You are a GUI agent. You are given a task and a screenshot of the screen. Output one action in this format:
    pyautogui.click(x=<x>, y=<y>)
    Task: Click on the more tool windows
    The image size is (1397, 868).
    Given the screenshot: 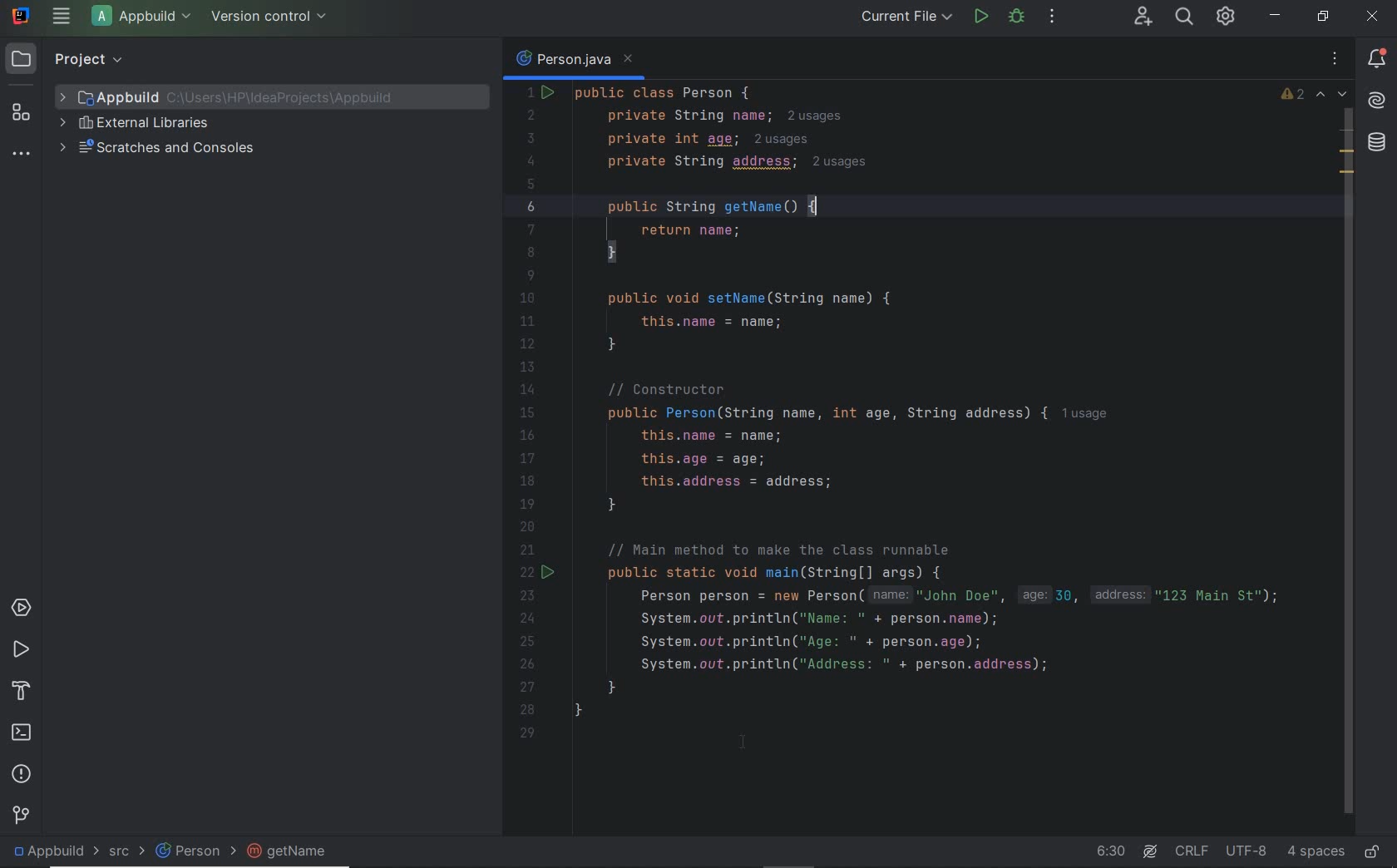 What is the action you would take?
    pyautogui.click(x=20, y=155)
    